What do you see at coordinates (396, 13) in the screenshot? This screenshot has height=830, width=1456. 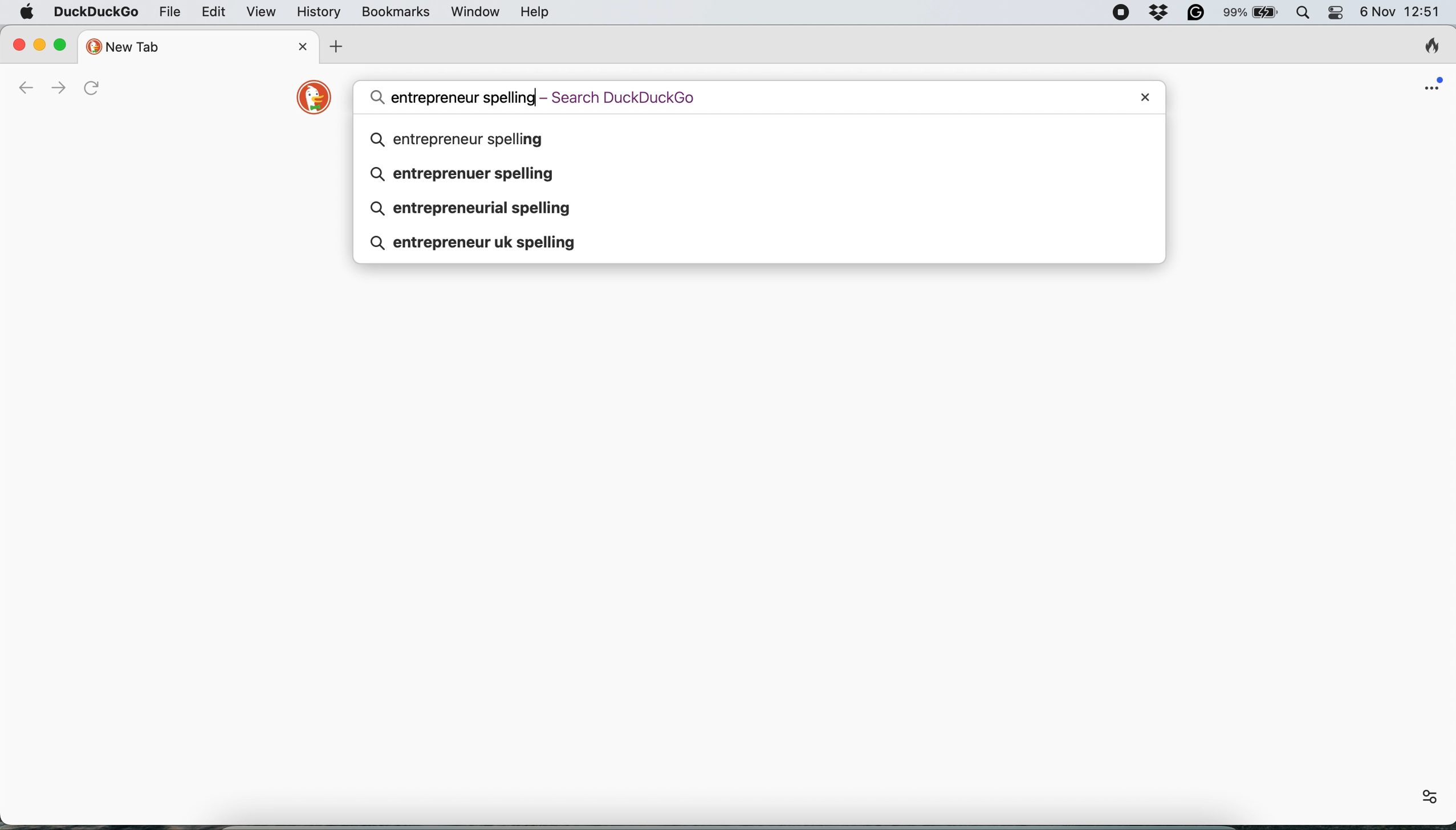 I see `bookmarks` at bounding box center [396, 13].